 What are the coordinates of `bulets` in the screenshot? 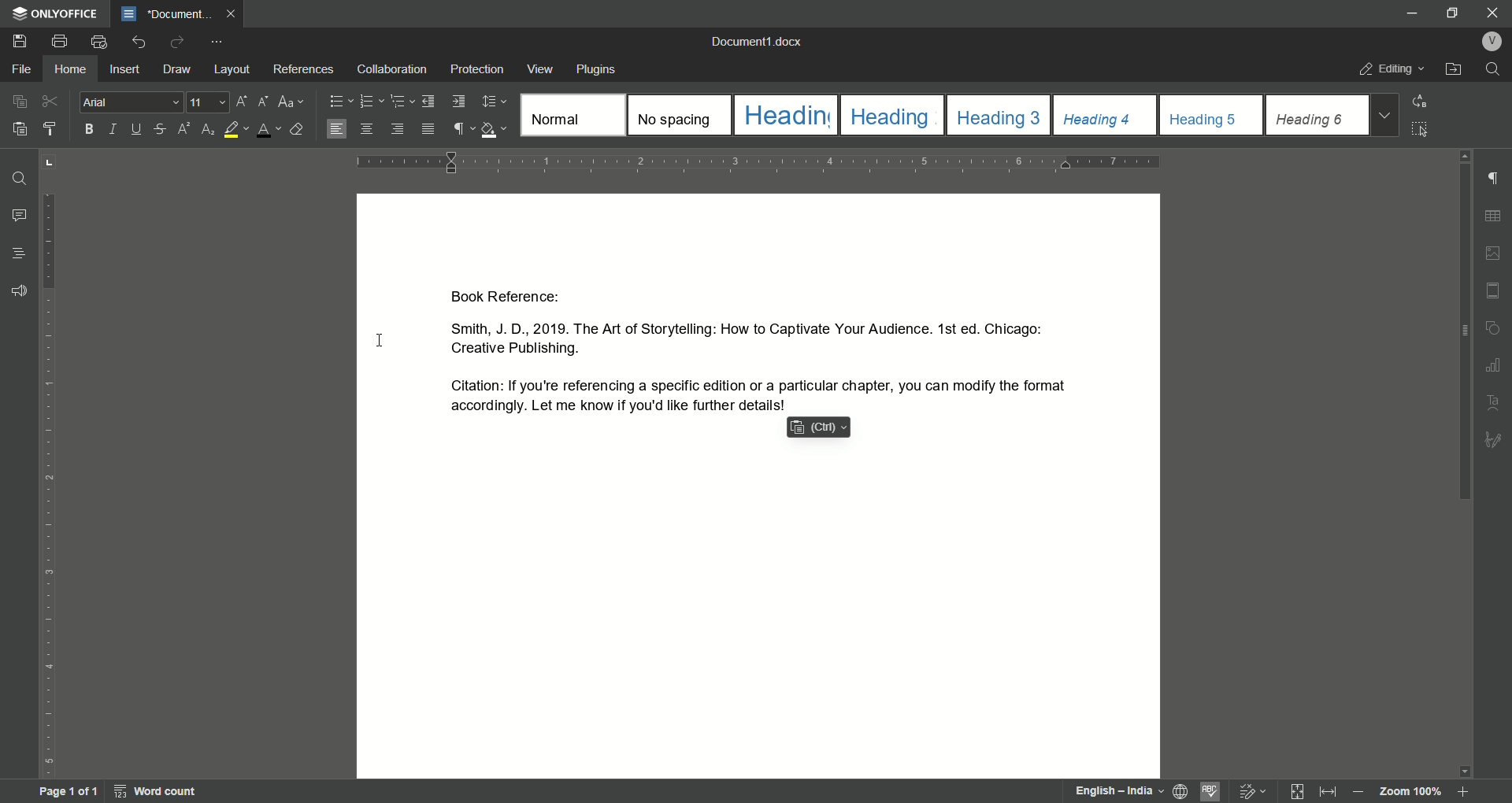 It's located at (341, 100).